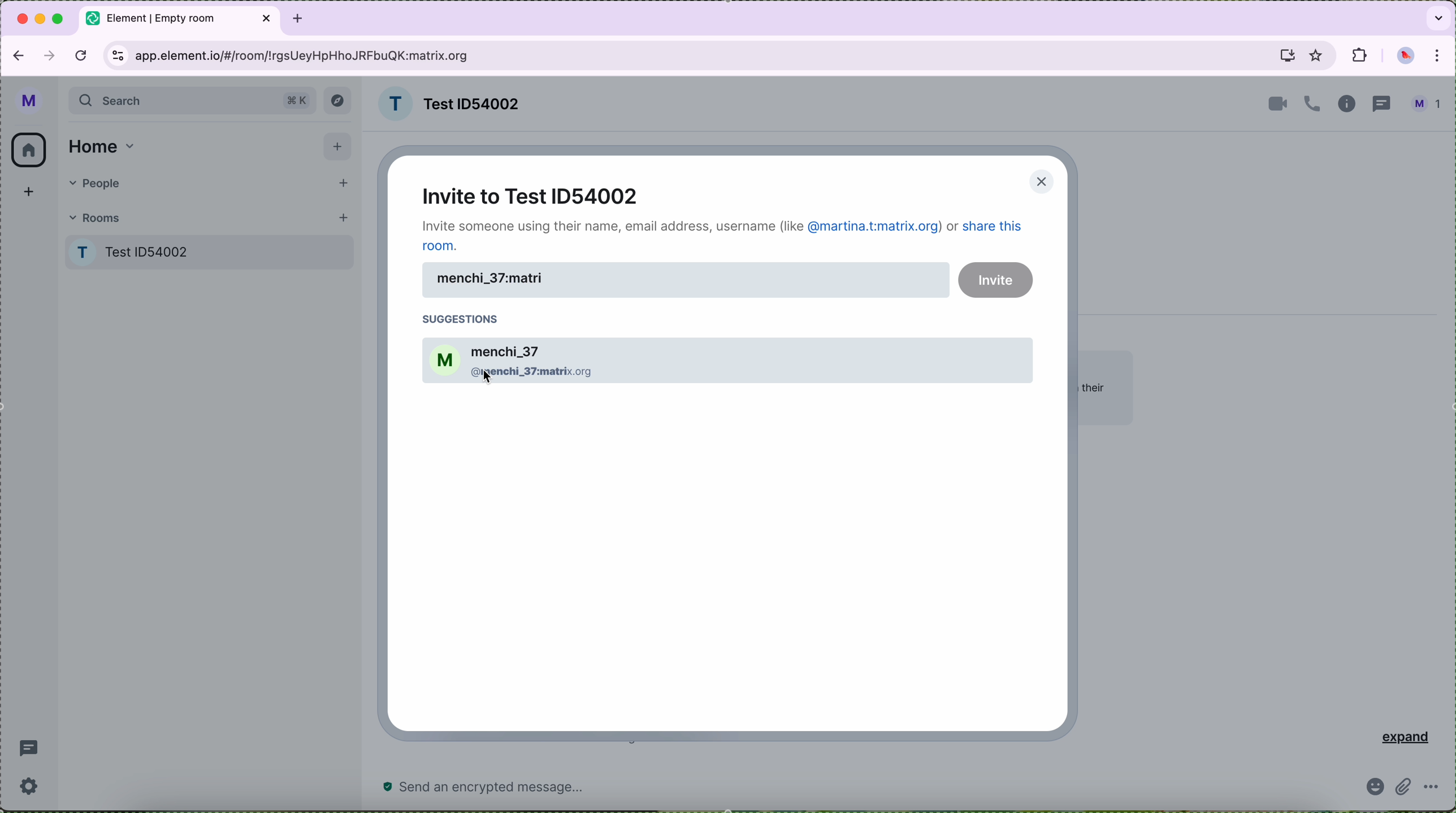 The width and height of the screenshot is (1456, 813). I want to click on URL, so click(304, 55).